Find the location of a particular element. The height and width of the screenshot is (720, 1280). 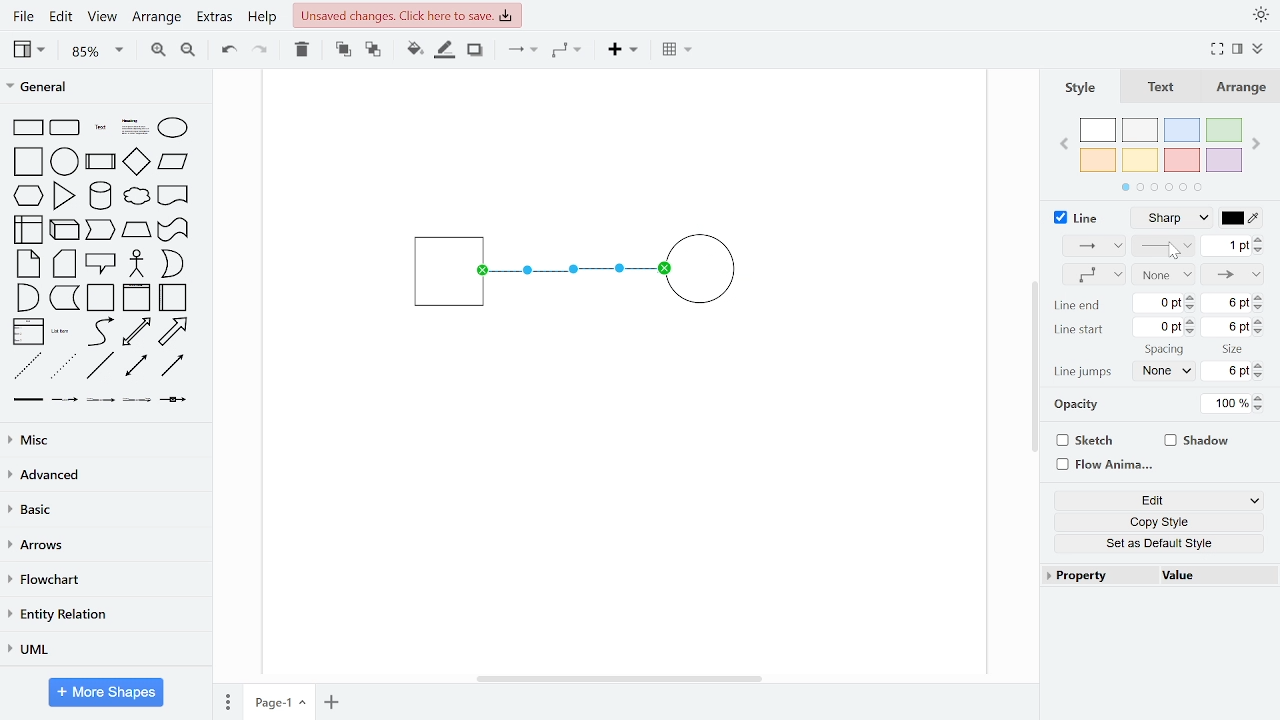

dotted line is located at coordinates (63, 367).